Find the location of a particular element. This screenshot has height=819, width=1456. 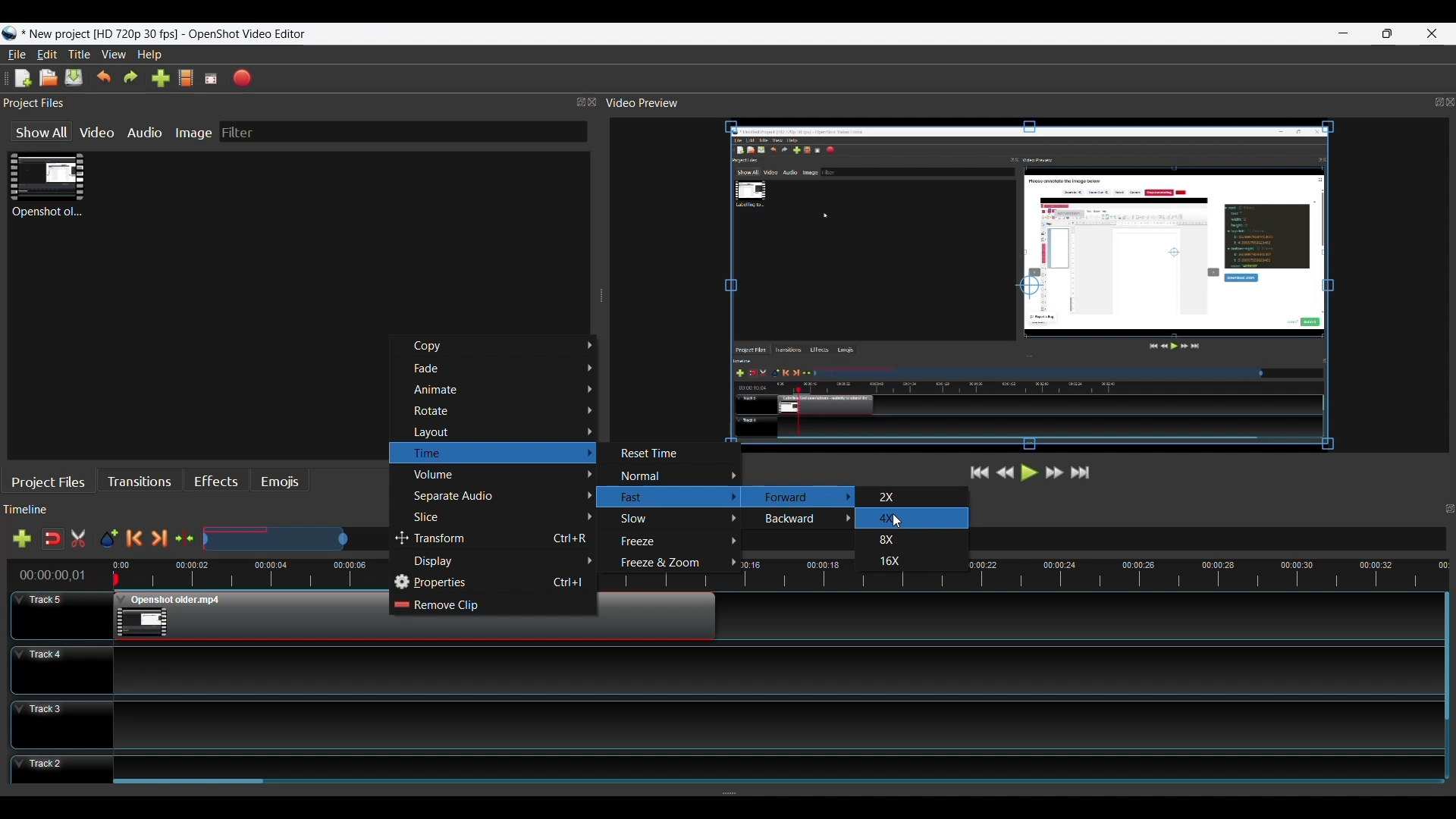

Forward is located at coordinates (802, 498).